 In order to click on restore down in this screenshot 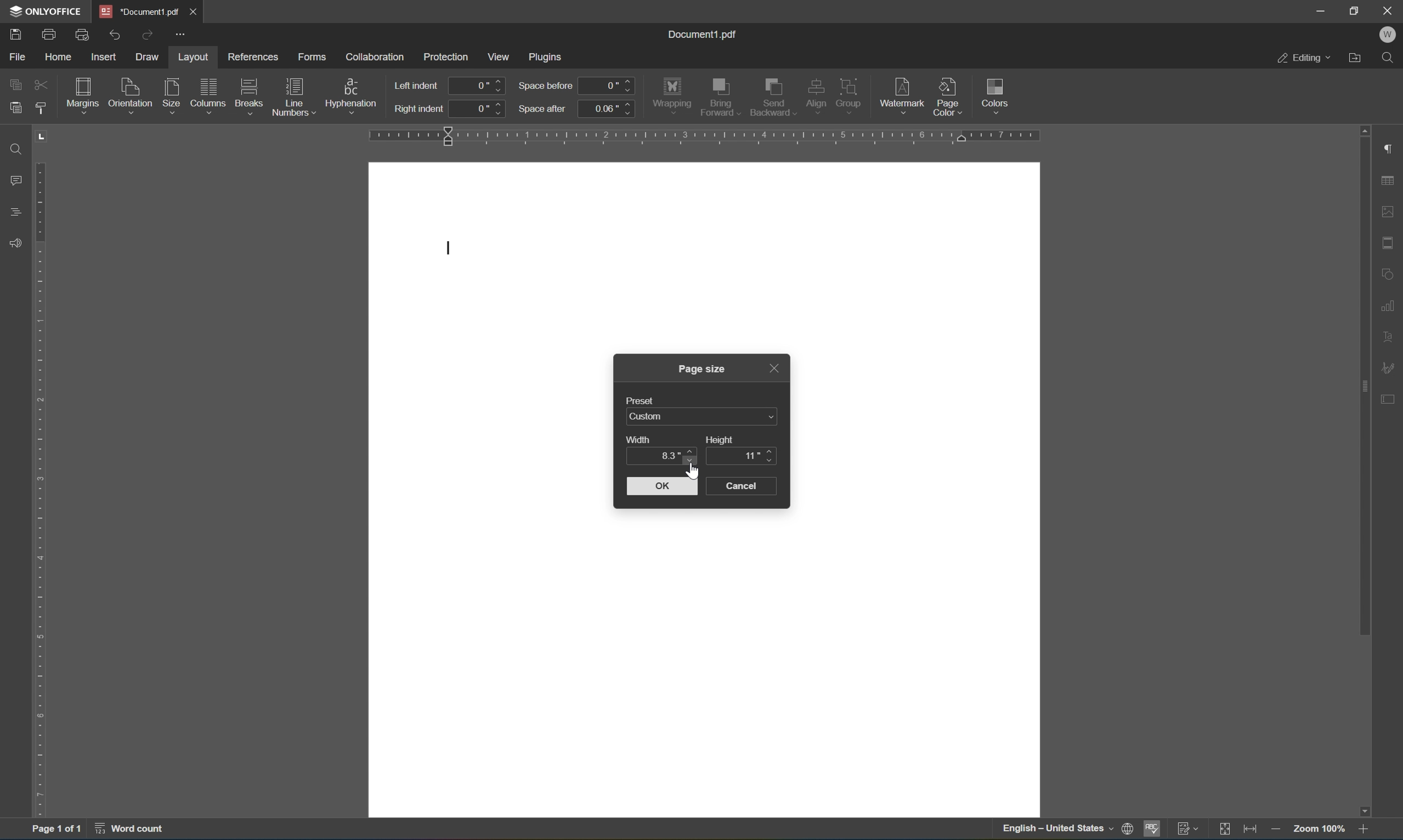, I will do `click(1356, 9)`.